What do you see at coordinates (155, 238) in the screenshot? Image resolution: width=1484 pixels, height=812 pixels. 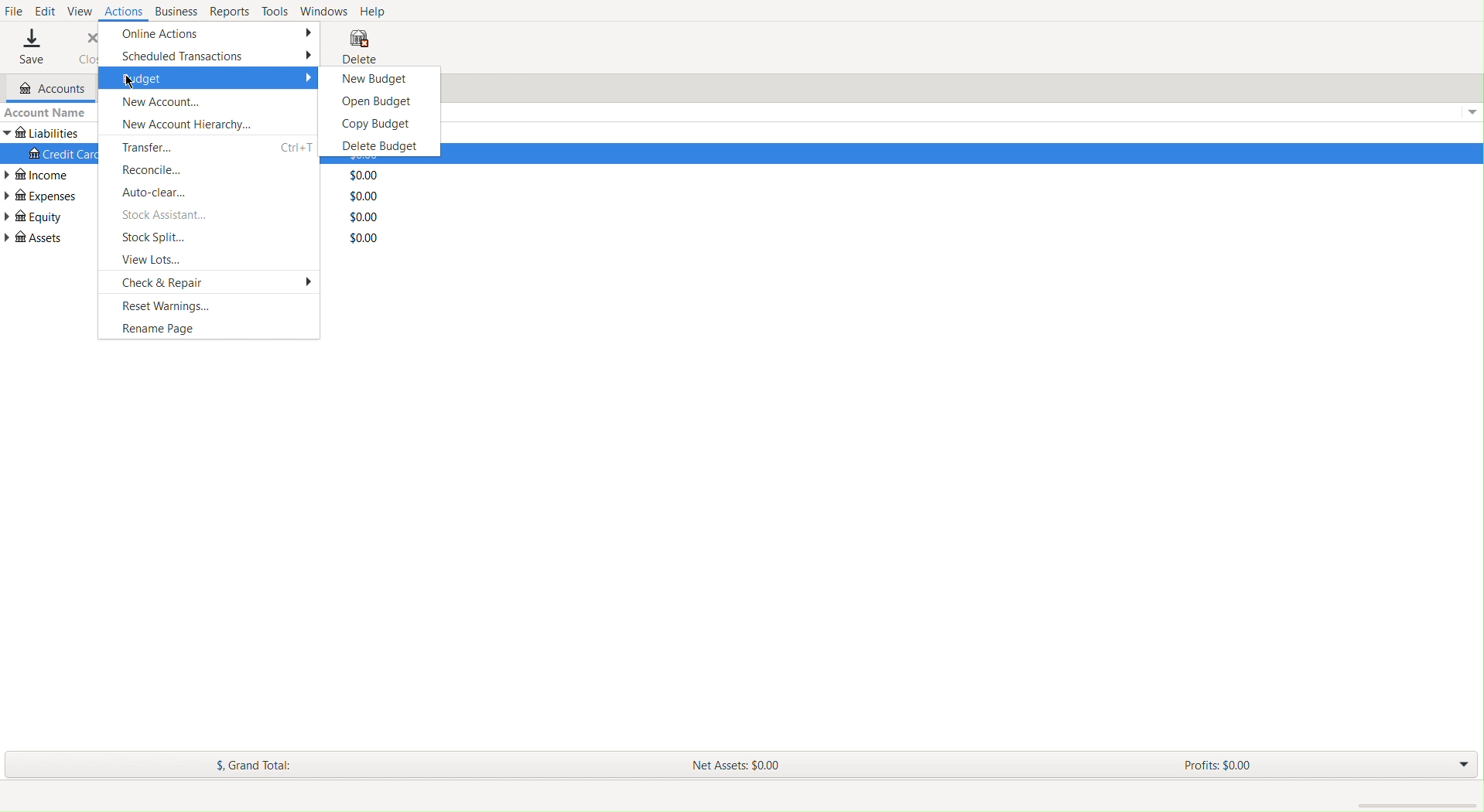 I see `Stock Split` at bounding box center [155, 238].